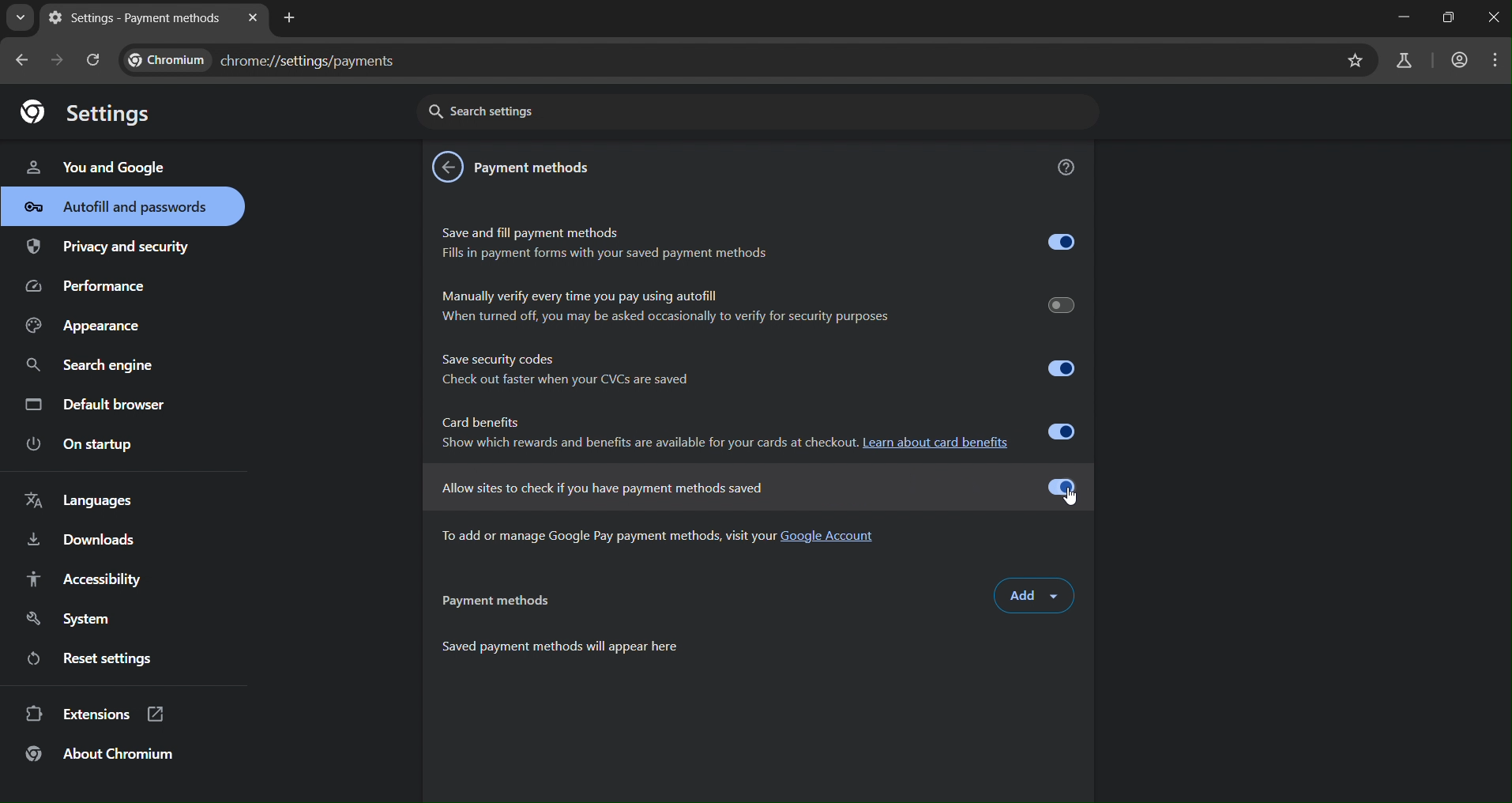 This screenshot has width=1512, height=803. What do you see at coordinates (1497, 61) in the screenshot?
I see `menu` at bounding box center [1497, 61].